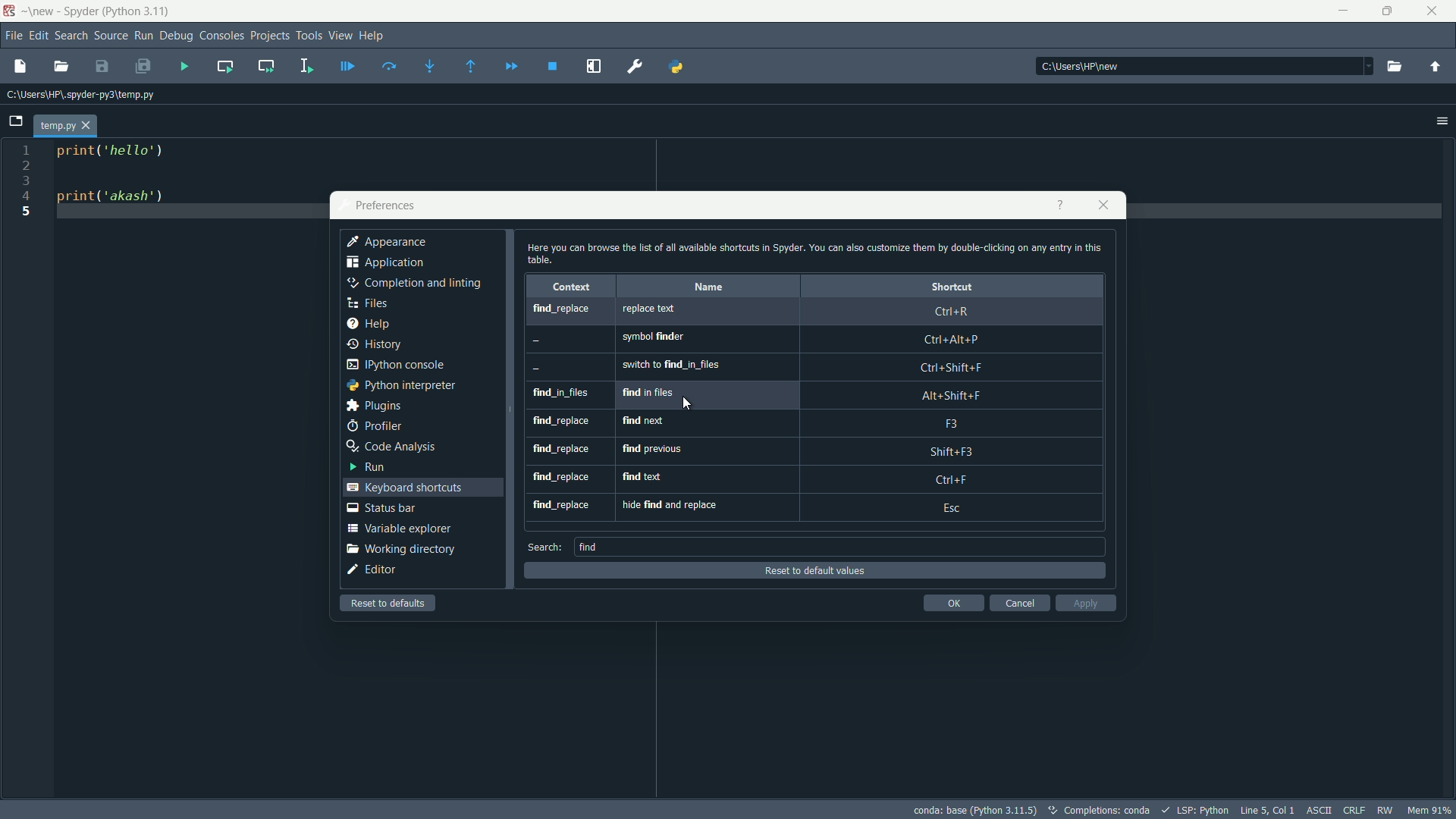 Image resolution: width=1456 pixels, height=819 pixels. Describe the element at coordinates (119, 201) in the screenshot. I see `print('akash')` at that location.